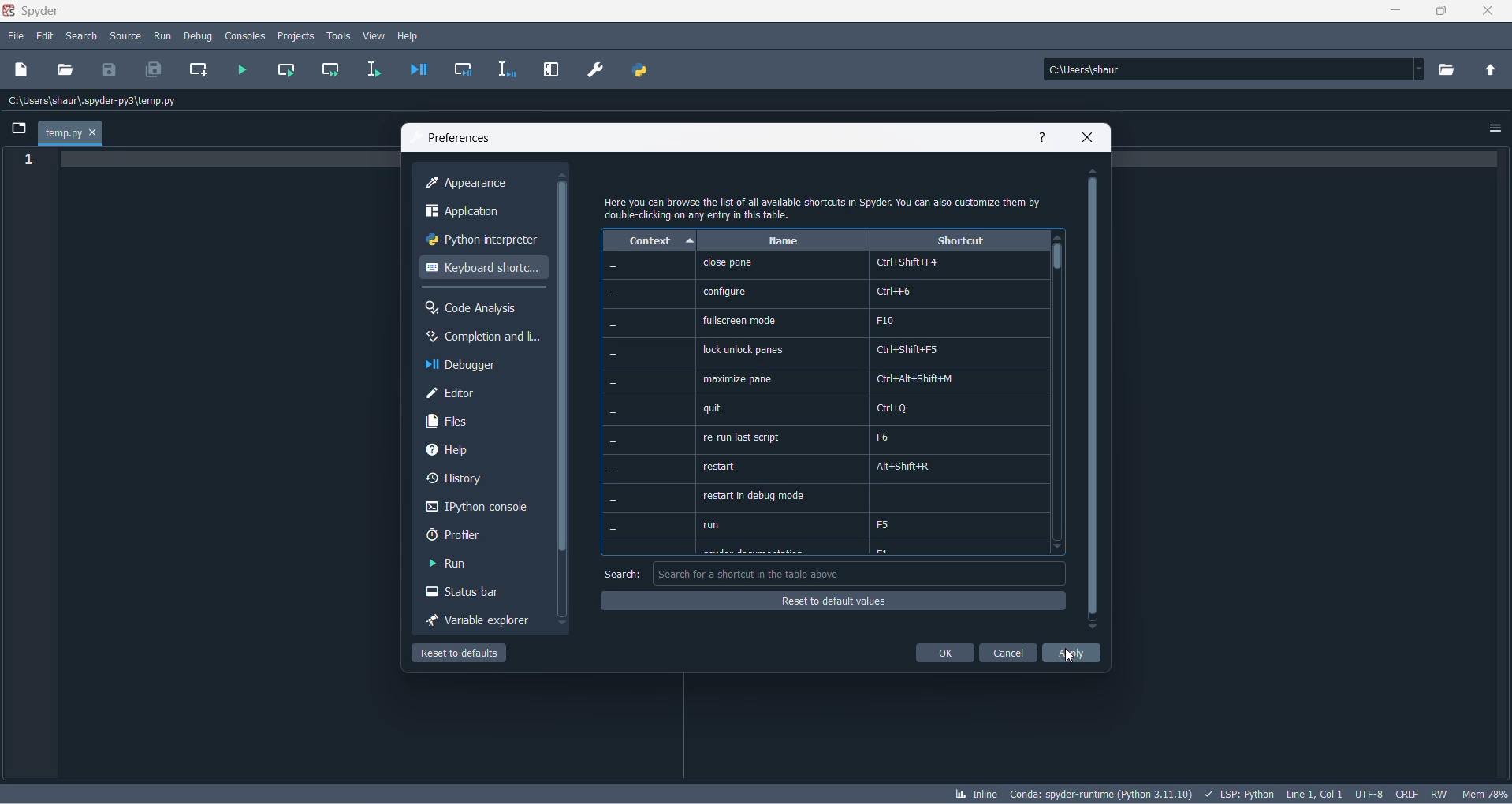 This screenshot has height=804, width=1512. What do you see at coordinates (611, 352) in the screenshot?
I see `-` at bounding box center [611, 352].